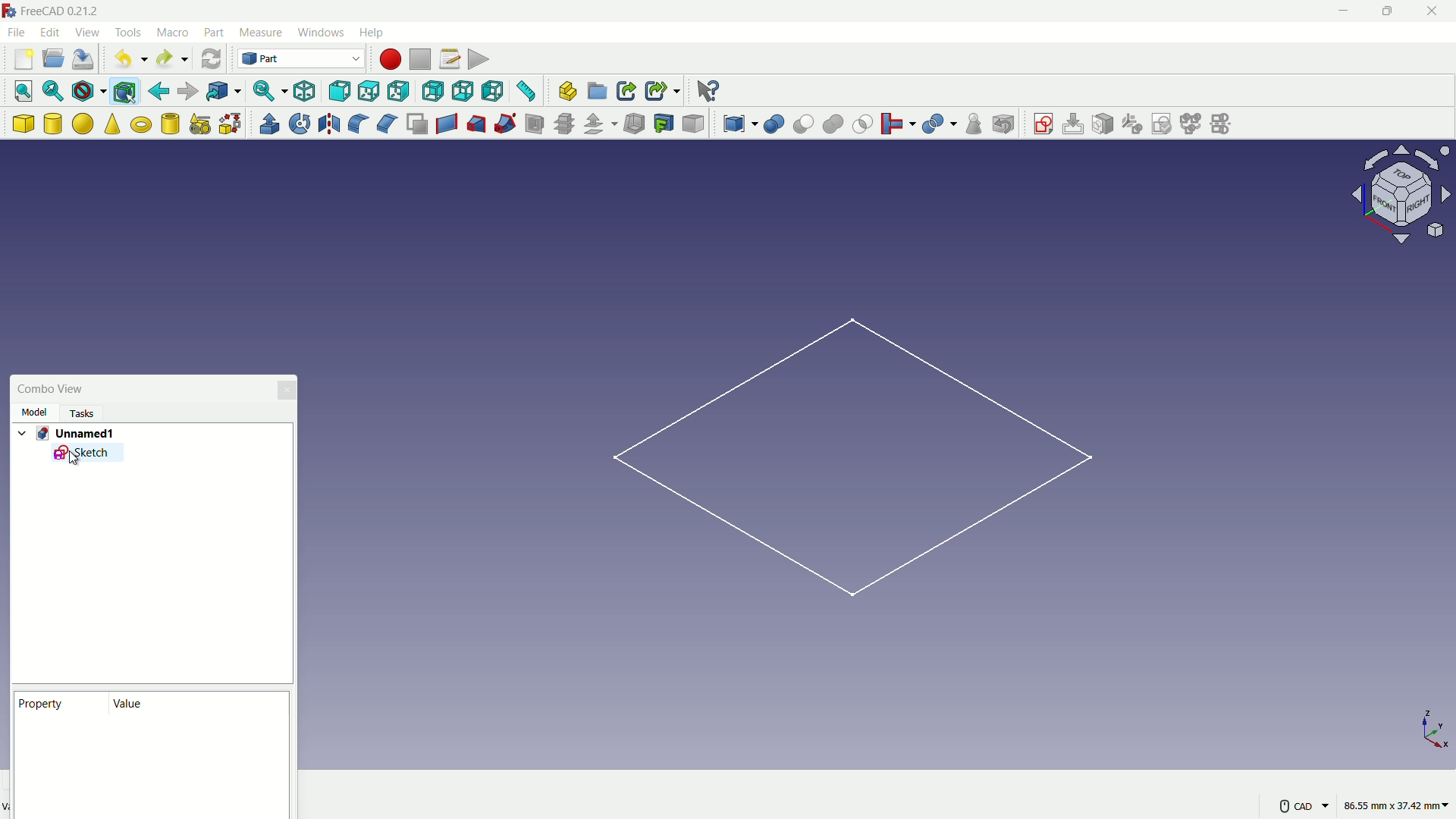  Describe the element at coordinates (356, 123) in the screenshot. I see `fillet` at that location.